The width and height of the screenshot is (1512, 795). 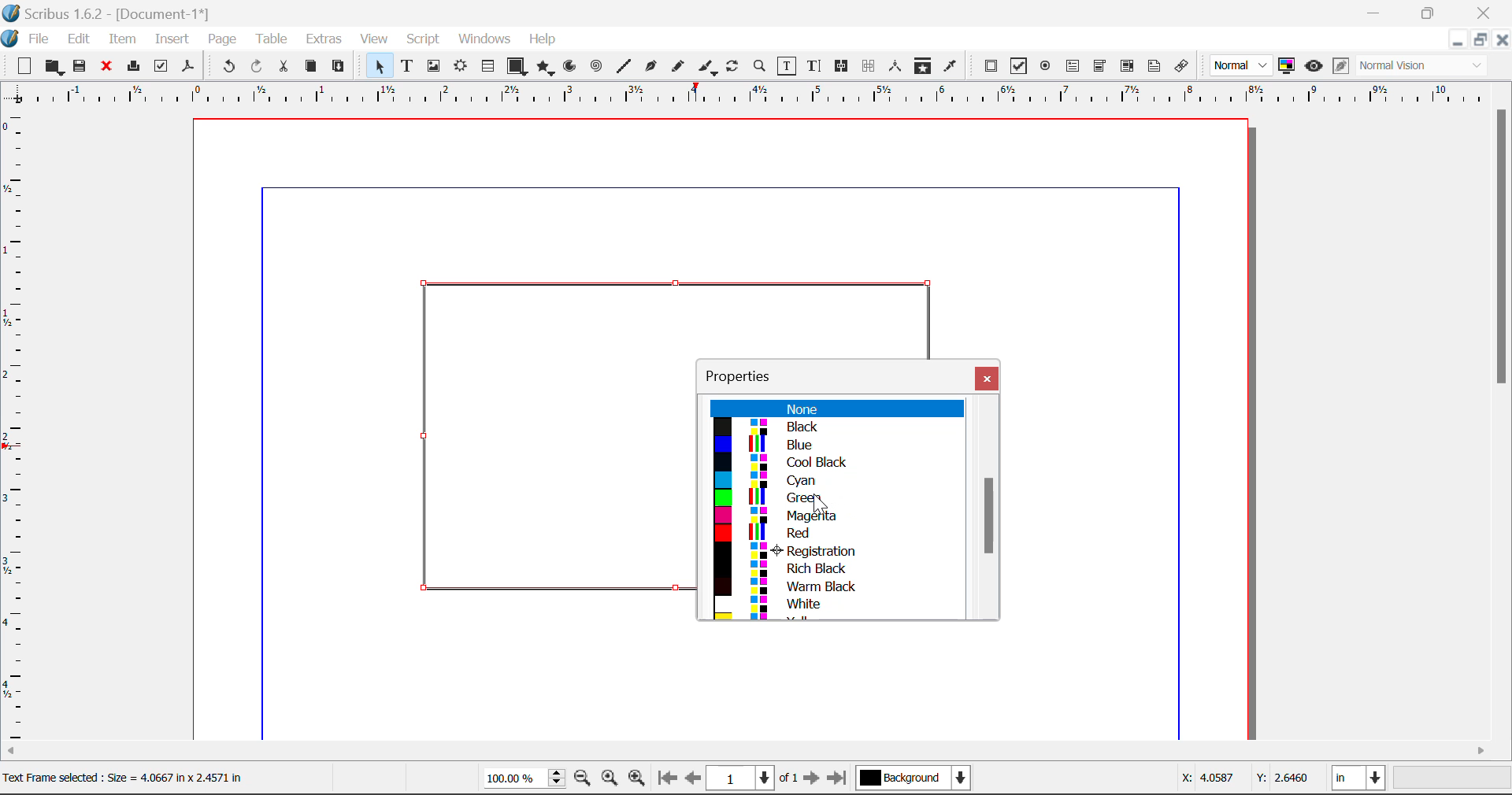 I want to click on Rich Black, so click(x=831, y=567).